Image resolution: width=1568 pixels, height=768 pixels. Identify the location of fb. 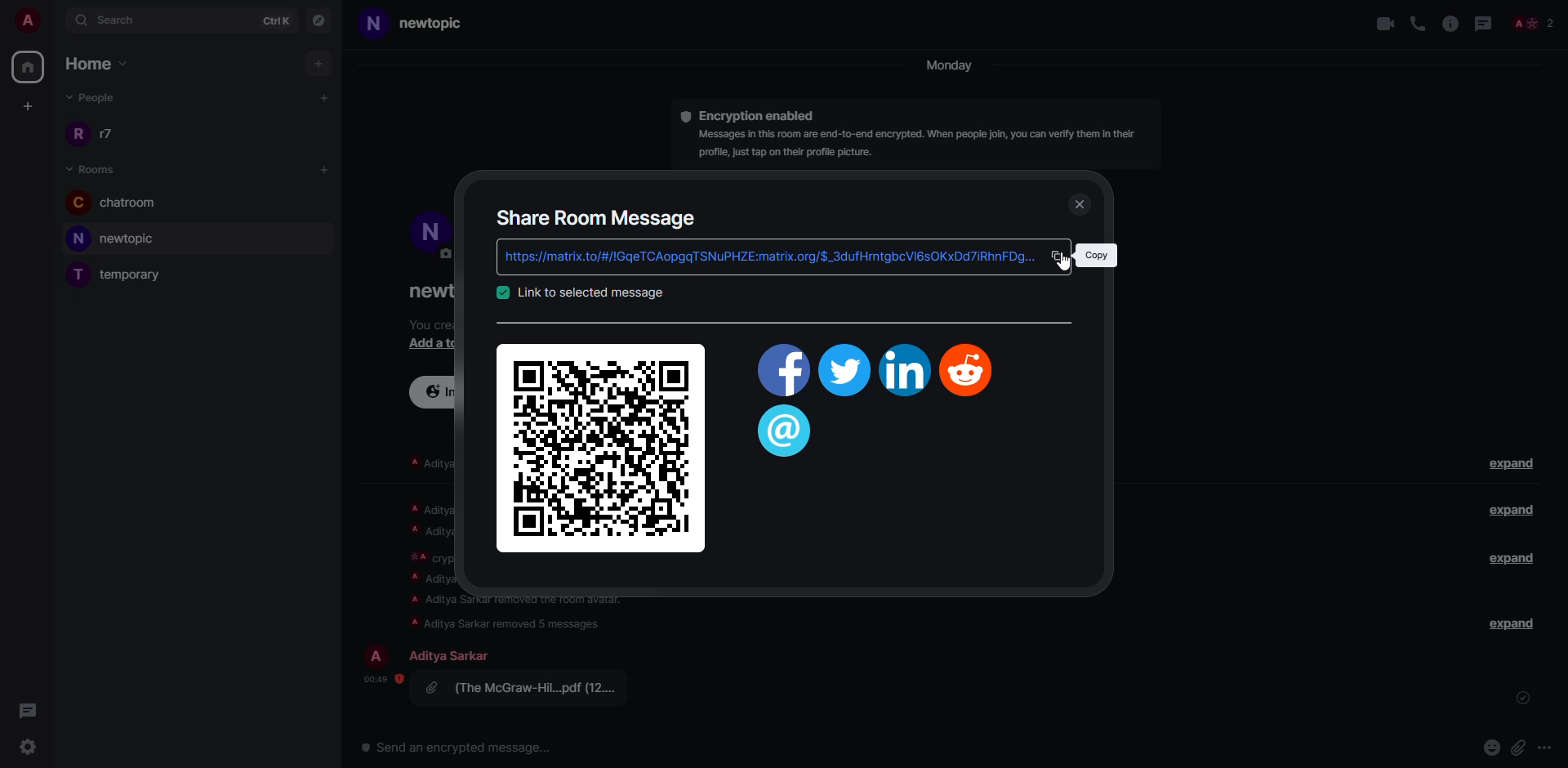
(781, 373).